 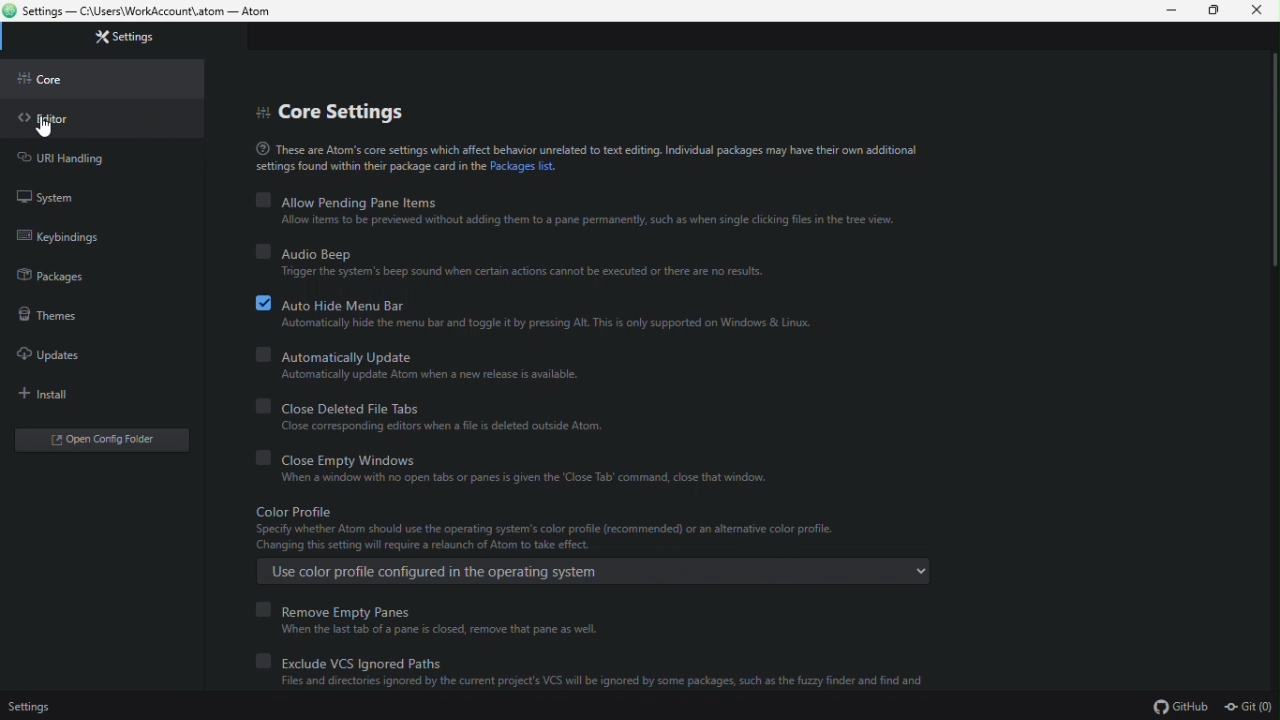 What do you see at coordinates (520, 477) in the screenshot?
I see `When a window with no open tabs or panes is given the ‘Close Tab’ command, close that window.` at bounding box center [520, 477].